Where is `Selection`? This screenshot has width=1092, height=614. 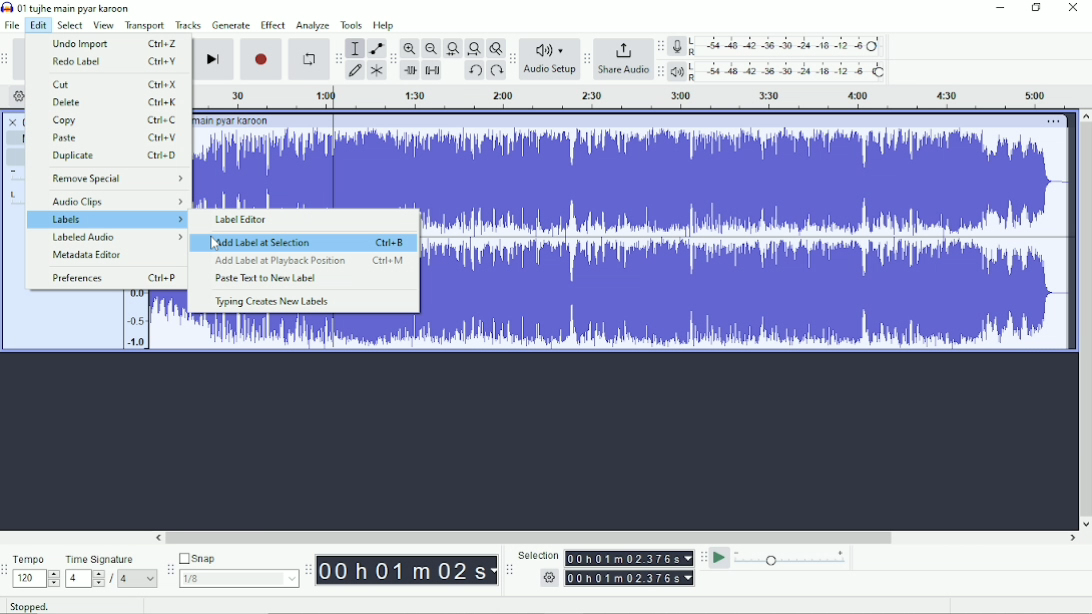 Selection is located at coordinates (606, 568).